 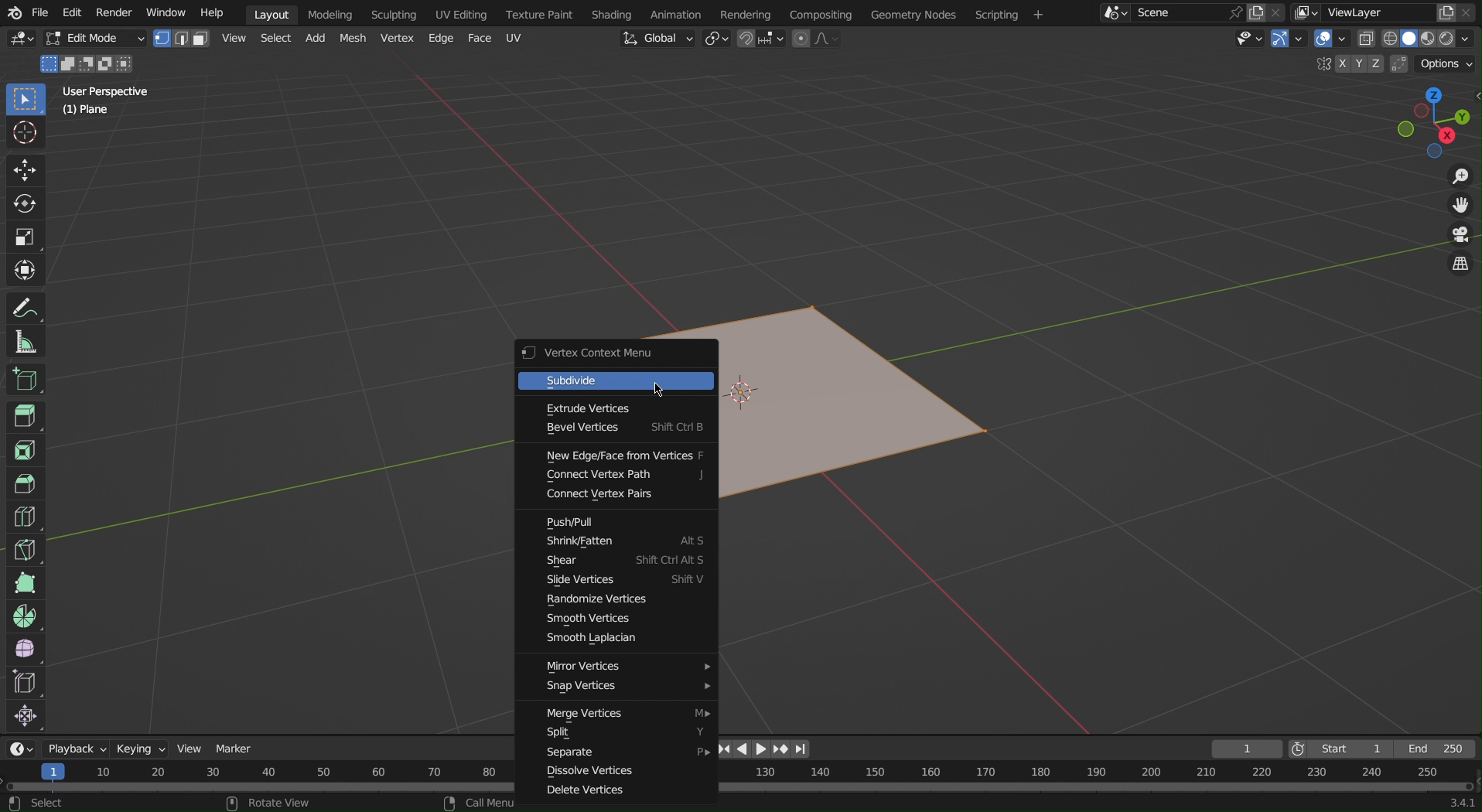 I want to click on Extrude Vertices, so click(x=620, y=408).